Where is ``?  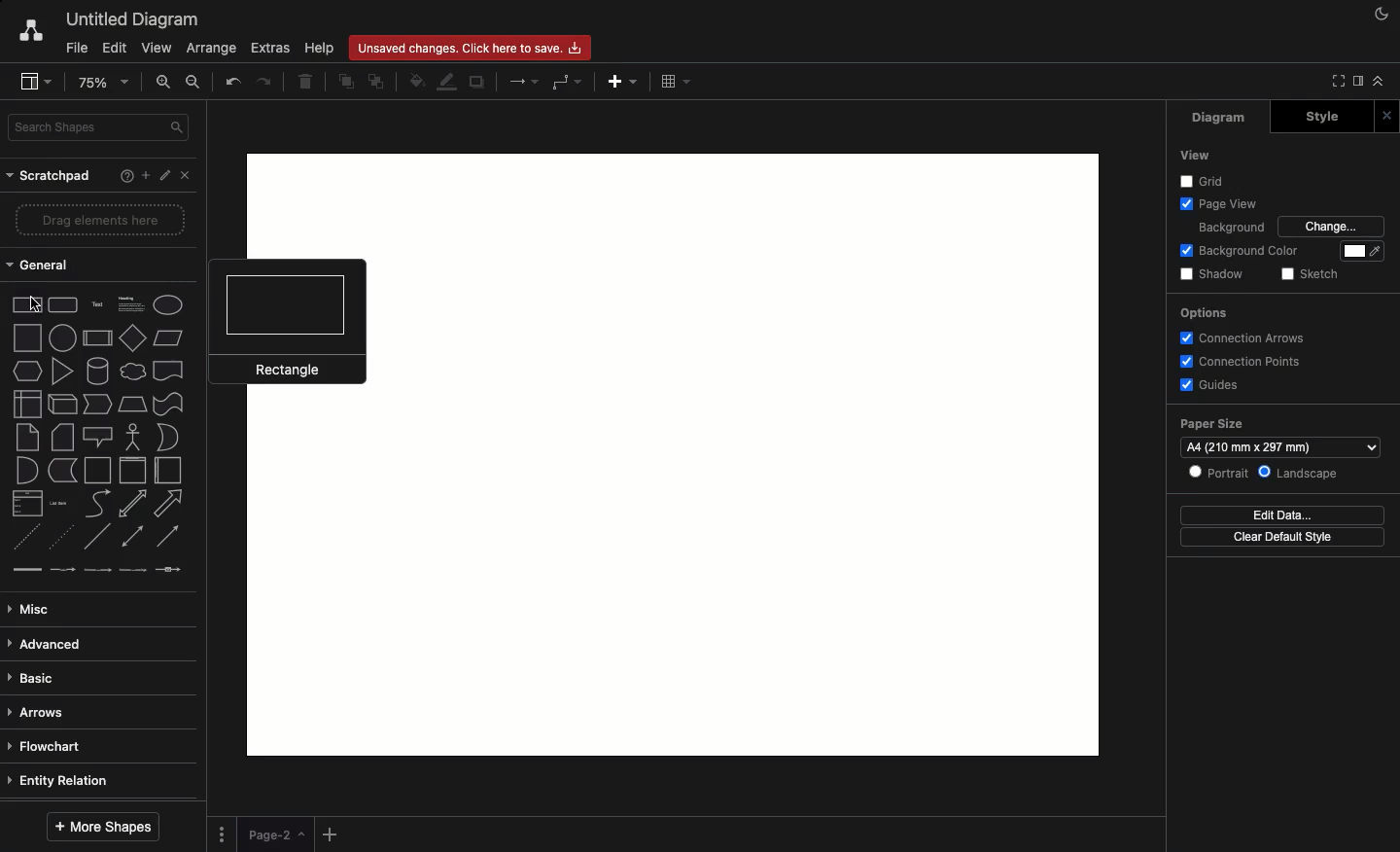  is located at coordinates (1205, 181).